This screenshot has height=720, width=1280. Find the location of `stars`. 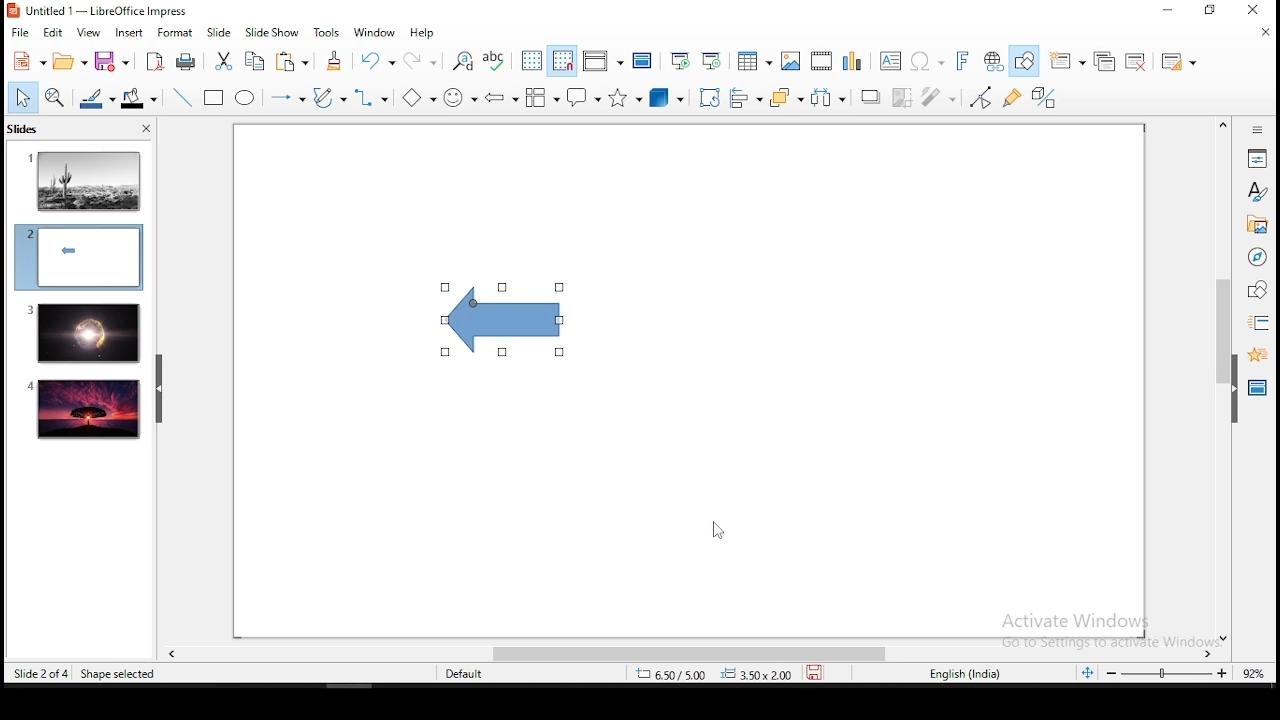

stars is located at coordinates (623, 98).